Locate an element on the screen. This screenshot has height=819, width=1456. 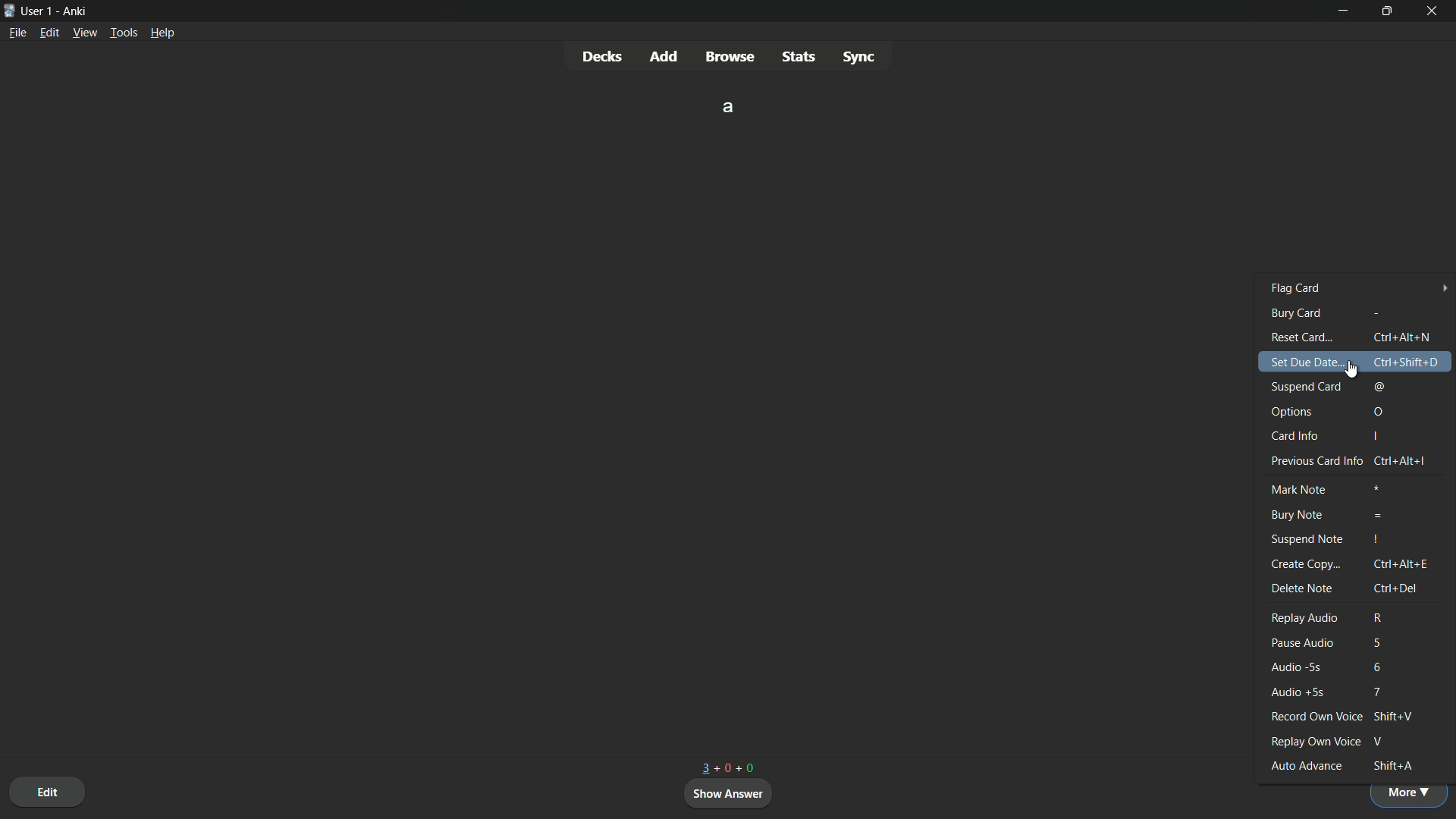
keyboard shortcut is located at coordinates (1378, 516).